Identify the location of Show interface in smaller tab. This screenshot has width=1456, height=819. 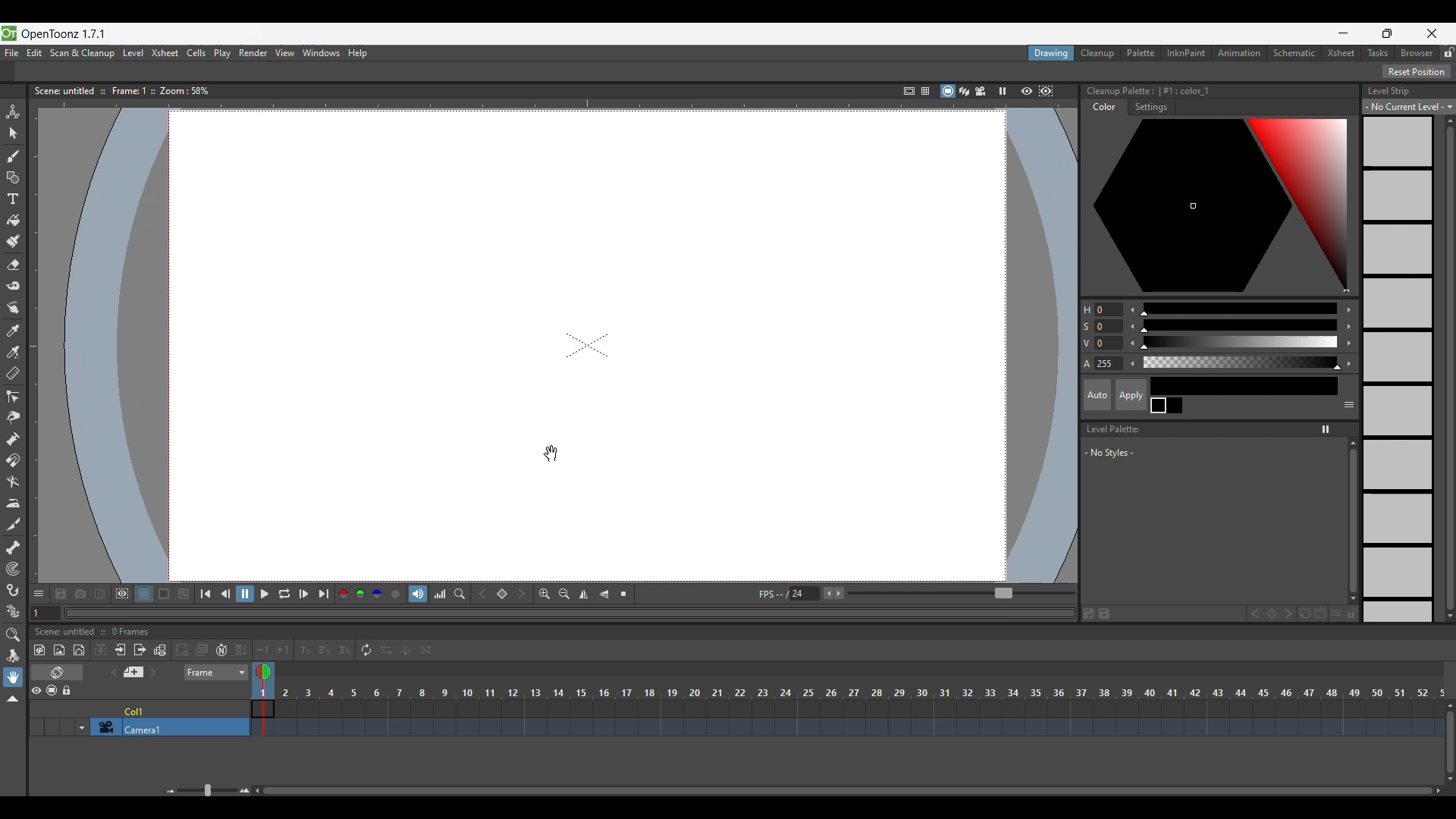
(1387, 33).